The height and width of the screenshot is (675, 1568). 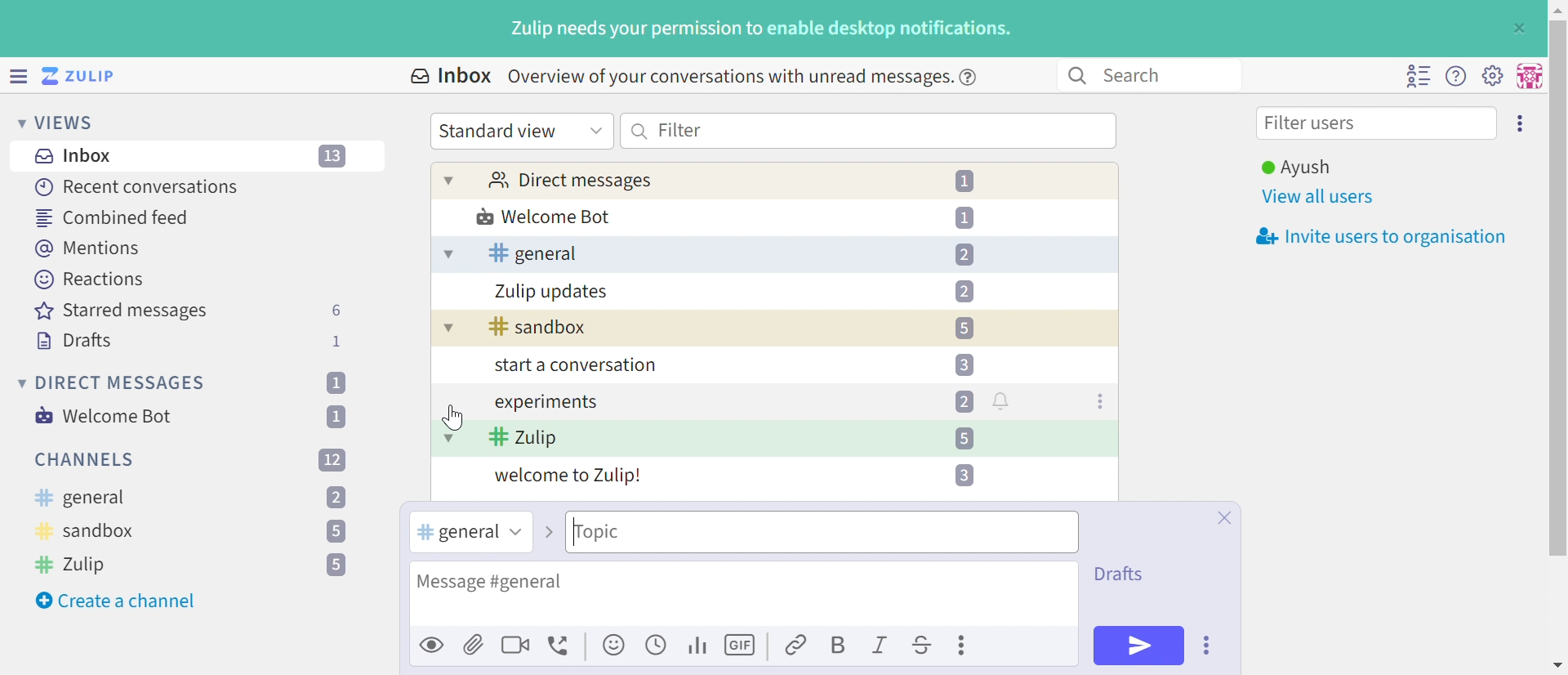 What do you see at coordinates (449, 76) in the screenshot?
I see `Inbox` at bounding box center [449, 76].